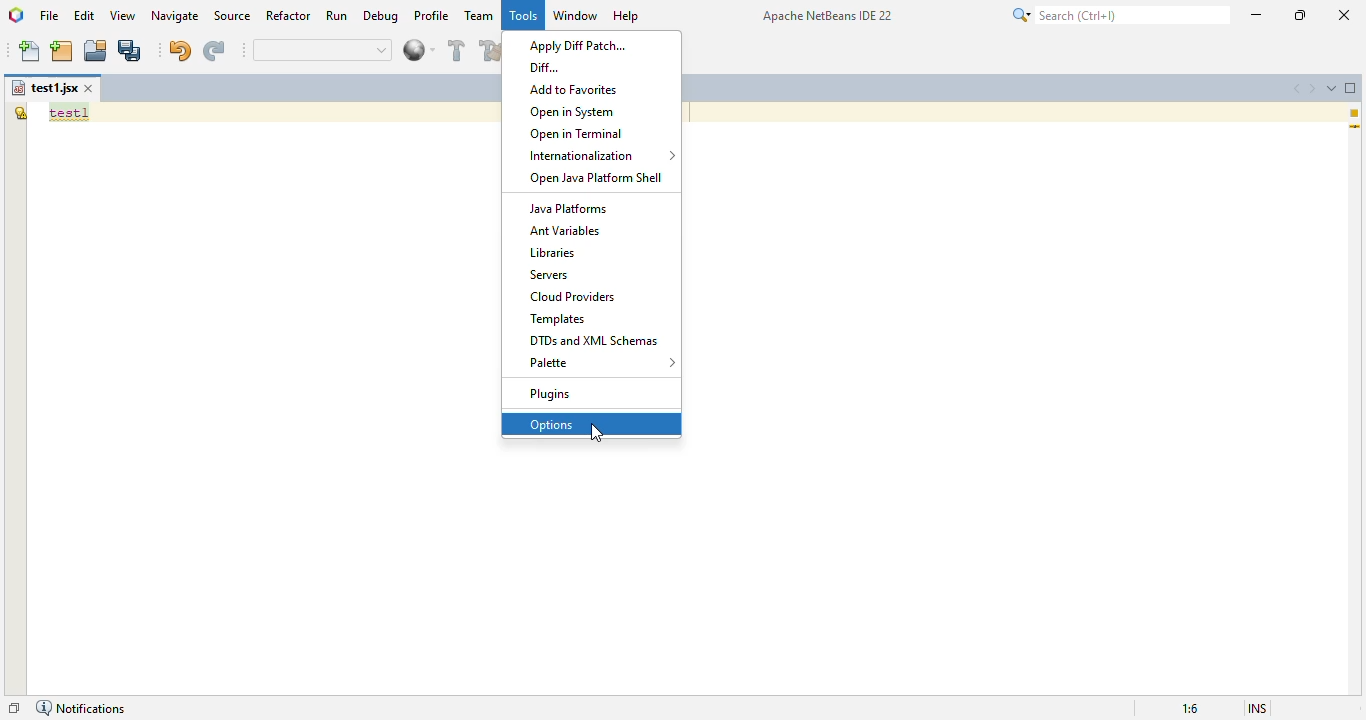 The image size is (1366, 720). I want to click on profile, so click(432, 15).